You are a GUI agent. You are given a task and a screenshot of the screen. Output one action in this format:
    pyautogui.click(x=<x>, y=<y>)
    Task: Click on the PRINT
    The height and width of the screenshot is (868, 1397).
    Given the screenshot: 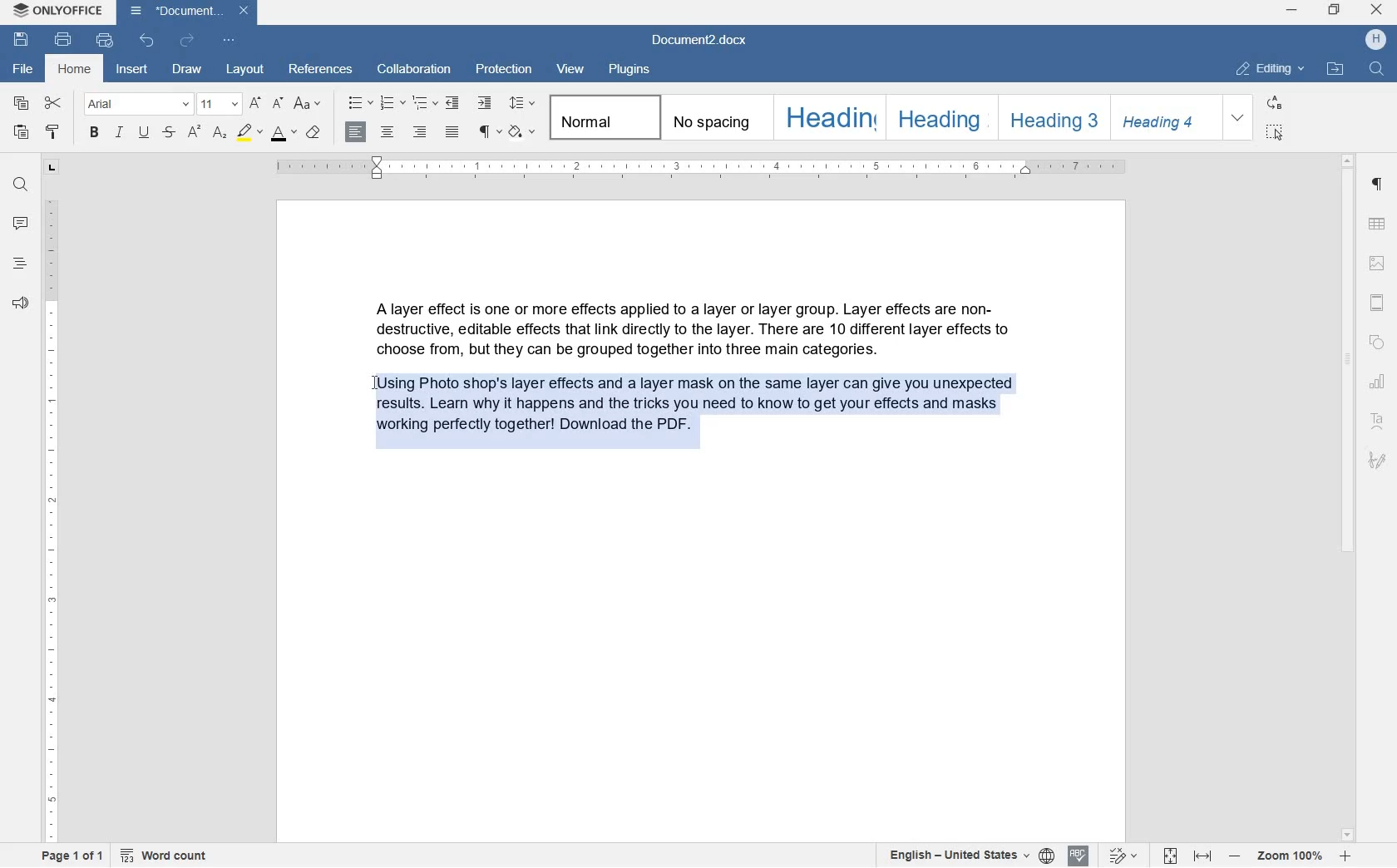 What is the action you would take?
    pyautogui.click(x=64, y=39)
    